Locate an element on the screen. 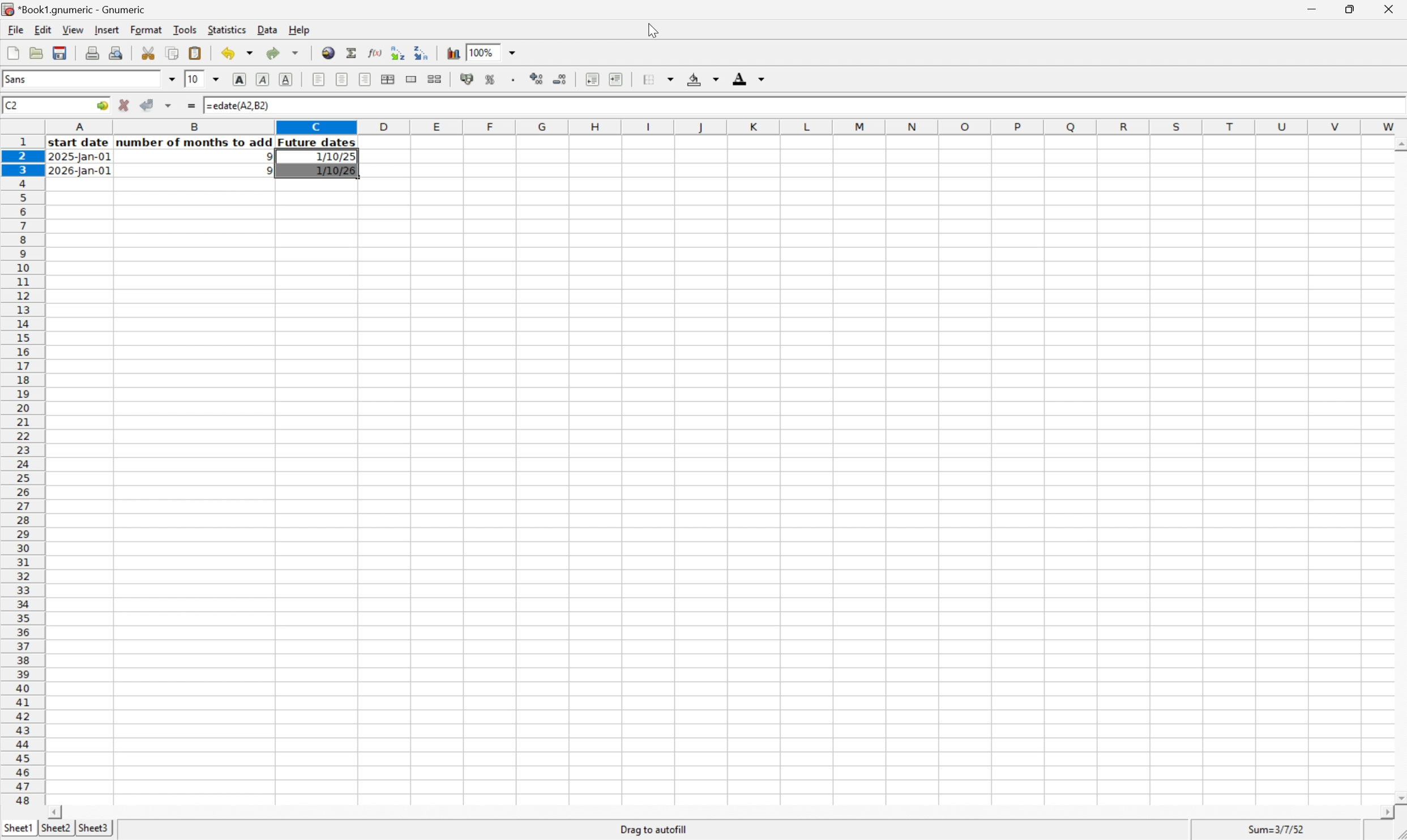 Image resolution: width=1407 pixels, height=840 pixels. Align Right is located at coordinates (365, 79).